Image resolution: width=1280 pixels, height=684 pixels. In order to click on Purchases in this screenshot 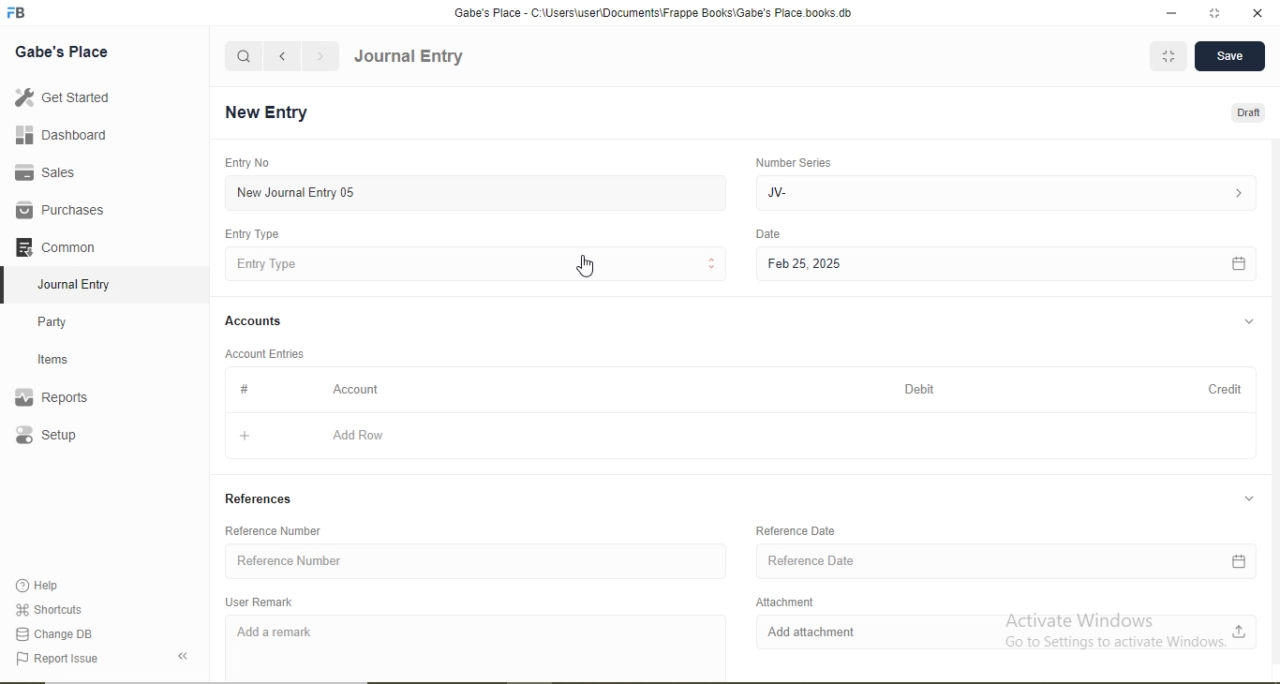, I will do `click(60, 210)`.